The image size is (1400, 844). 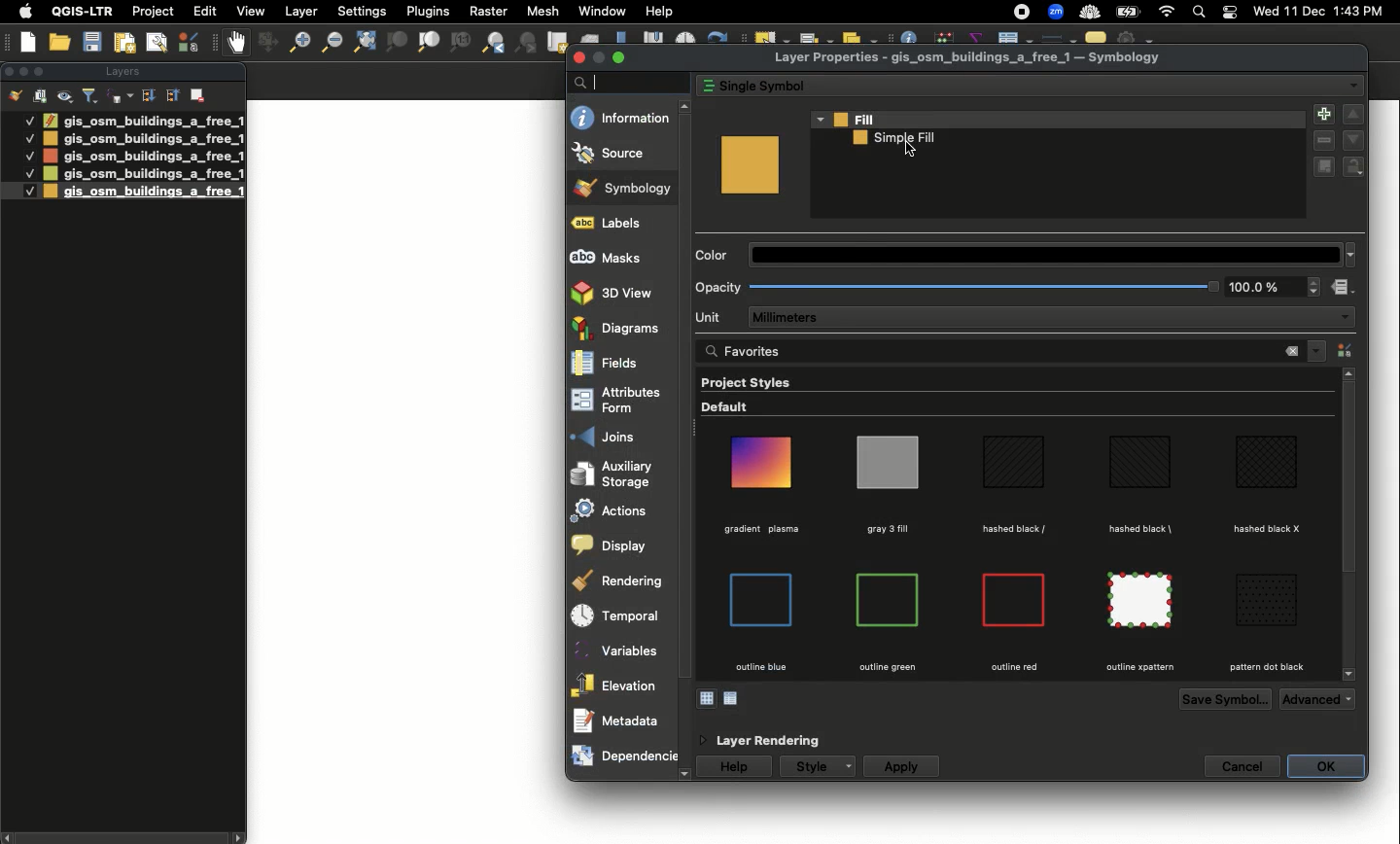 What do you see at coordinates (1022, 13) in the screenshot?
I see `Recording` at bounding box center [1022, 13].